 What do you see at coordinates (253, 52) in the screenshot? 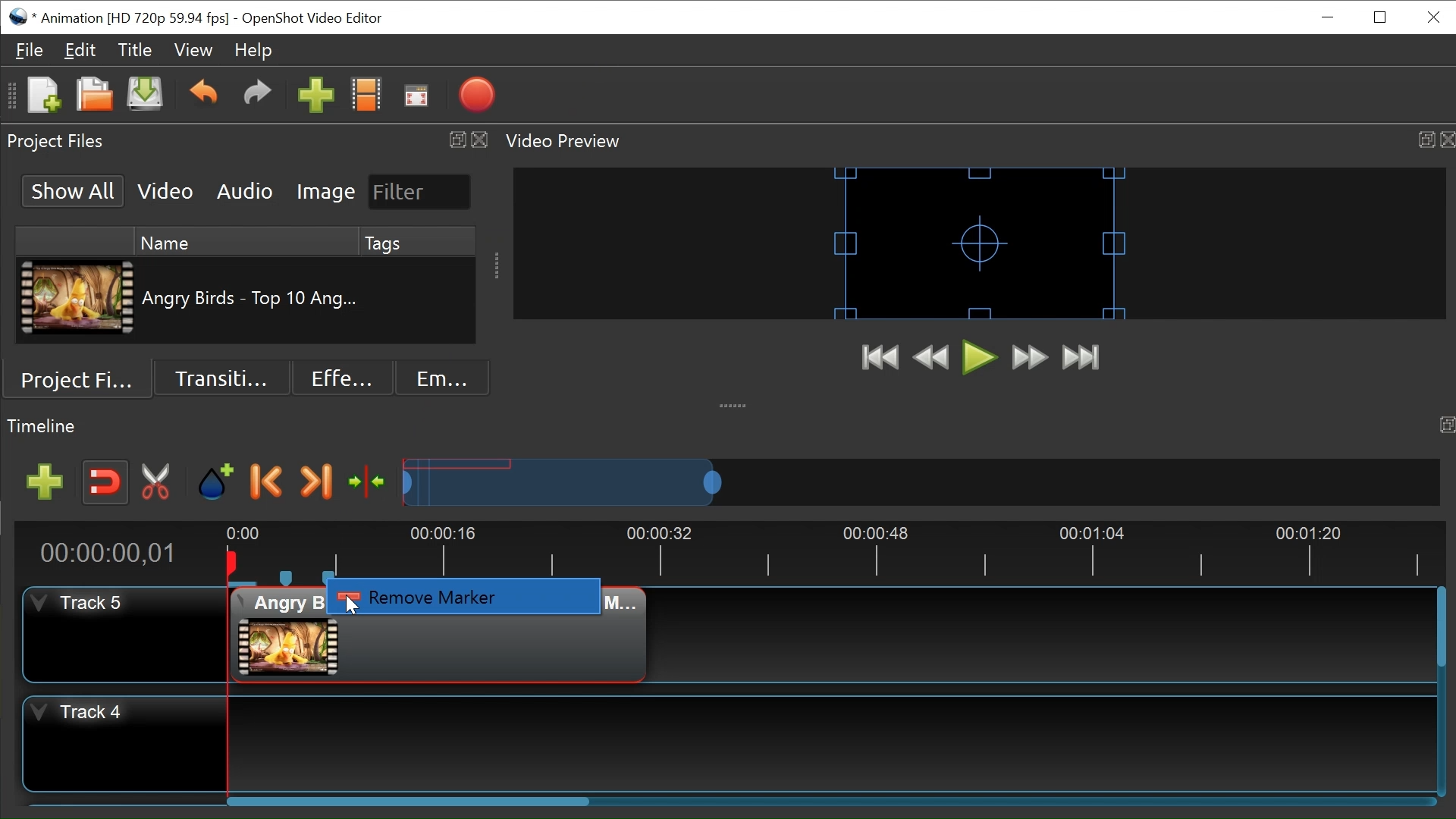
I see `Help` at bounding box center [253, 52].